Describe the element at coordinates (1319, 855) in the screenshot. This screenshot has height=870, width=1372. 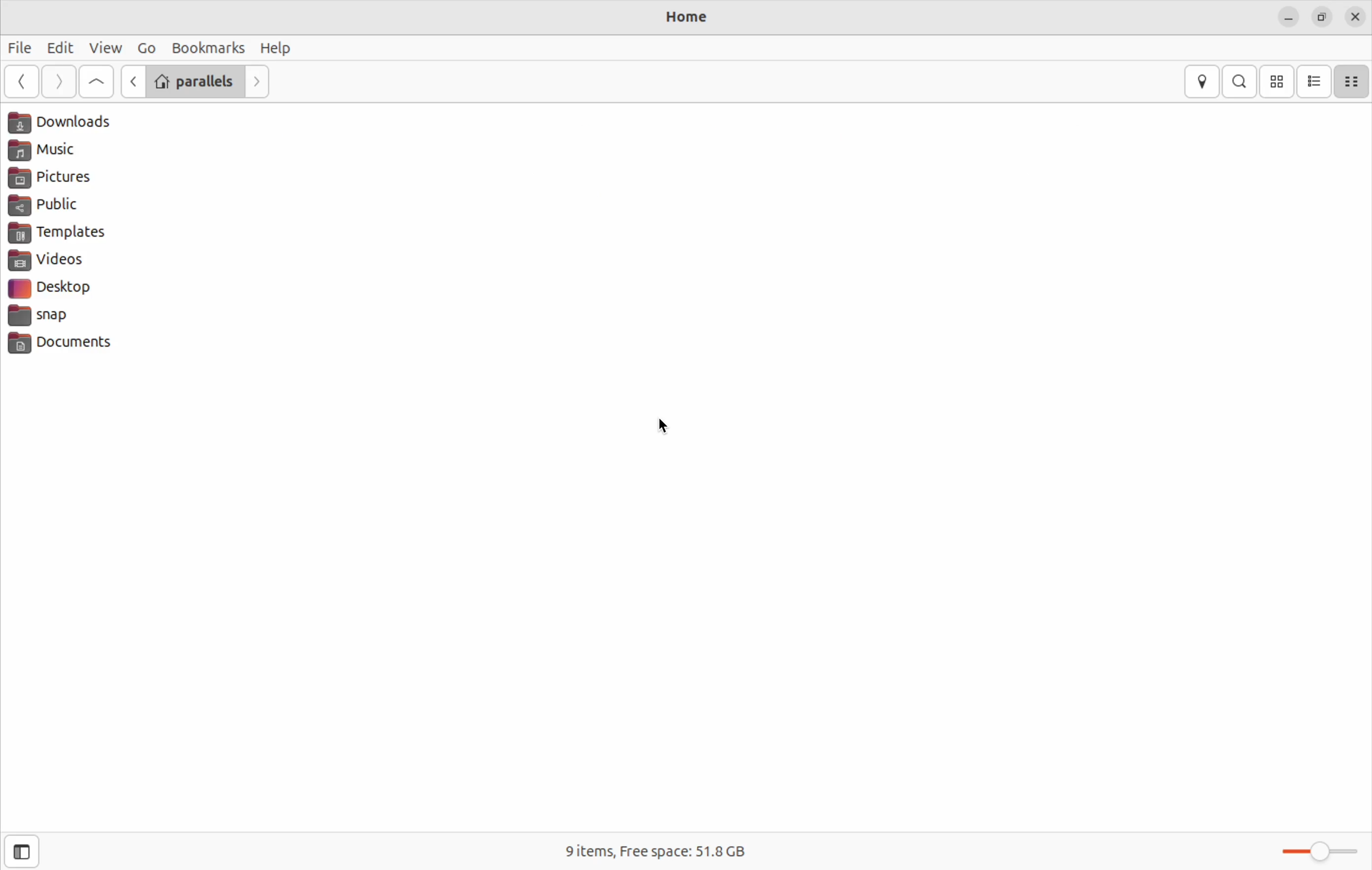
I see `toggle bar` at that location.